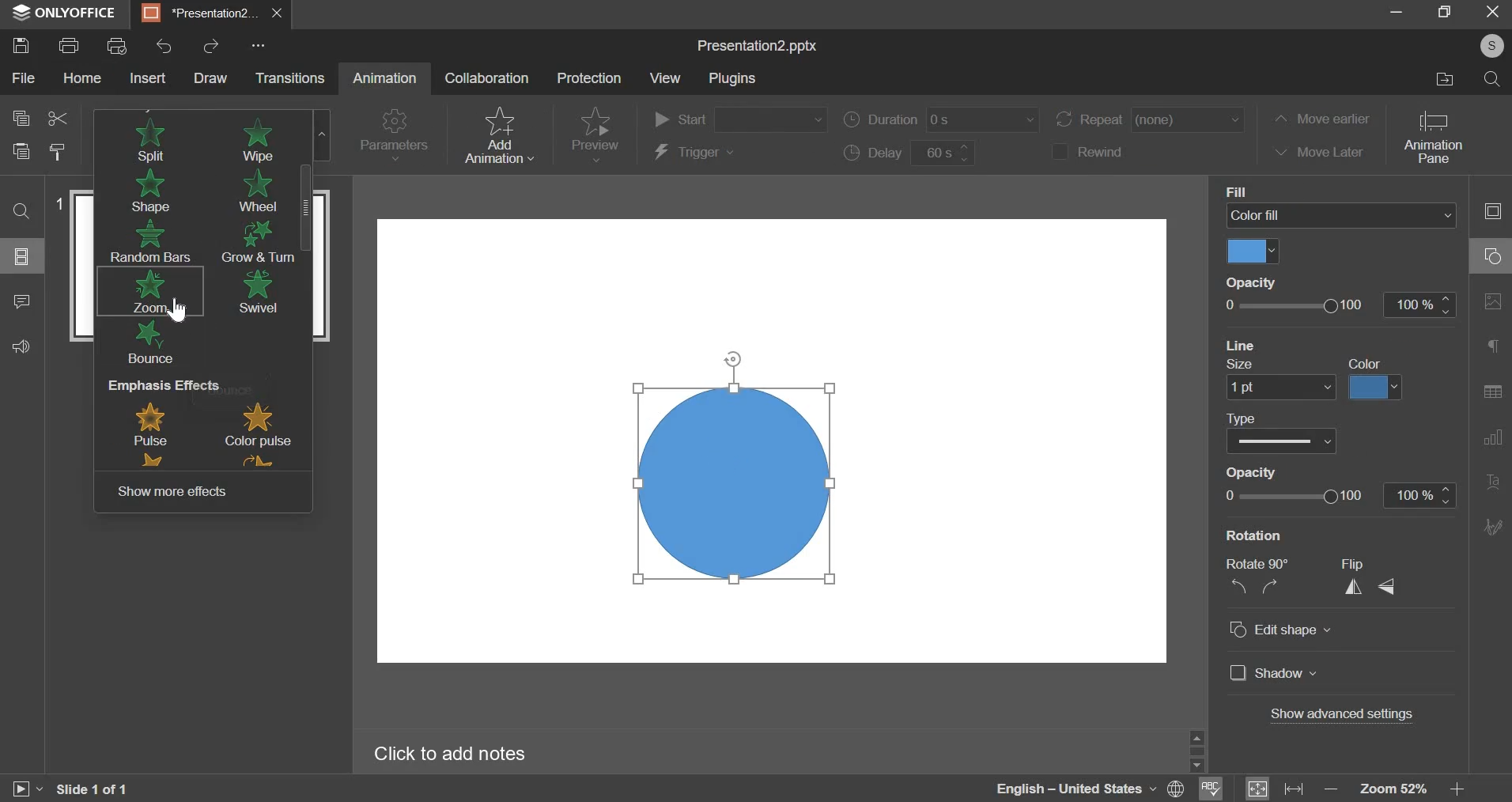  What do you see at coordinates (1489, 369) in the screenshot?
I see `right side bar` at bounding box center [1489, 369].